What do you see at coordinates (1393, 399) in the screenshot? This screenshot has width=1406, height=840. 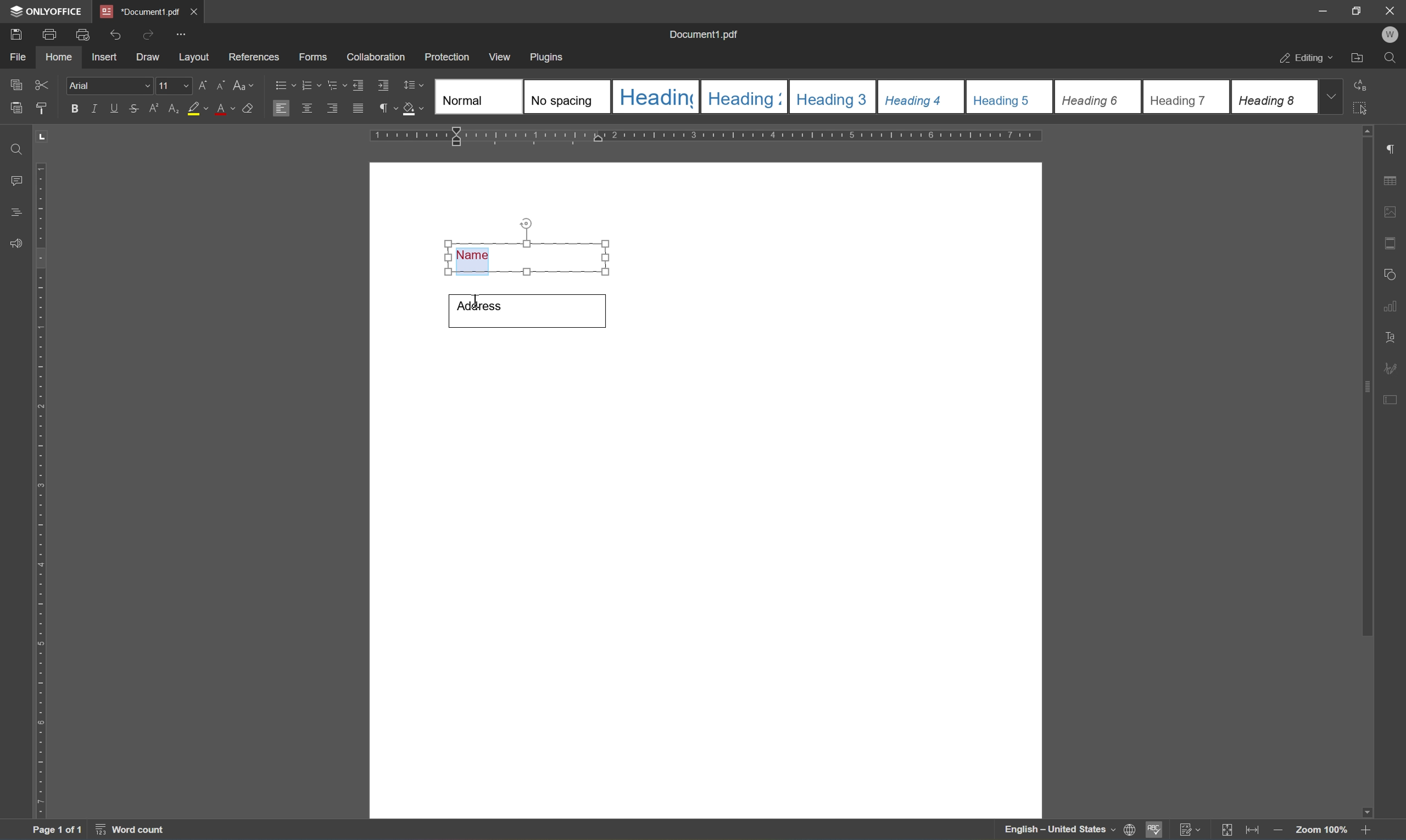 I see `form settings` at bounding box center [1393, 399].